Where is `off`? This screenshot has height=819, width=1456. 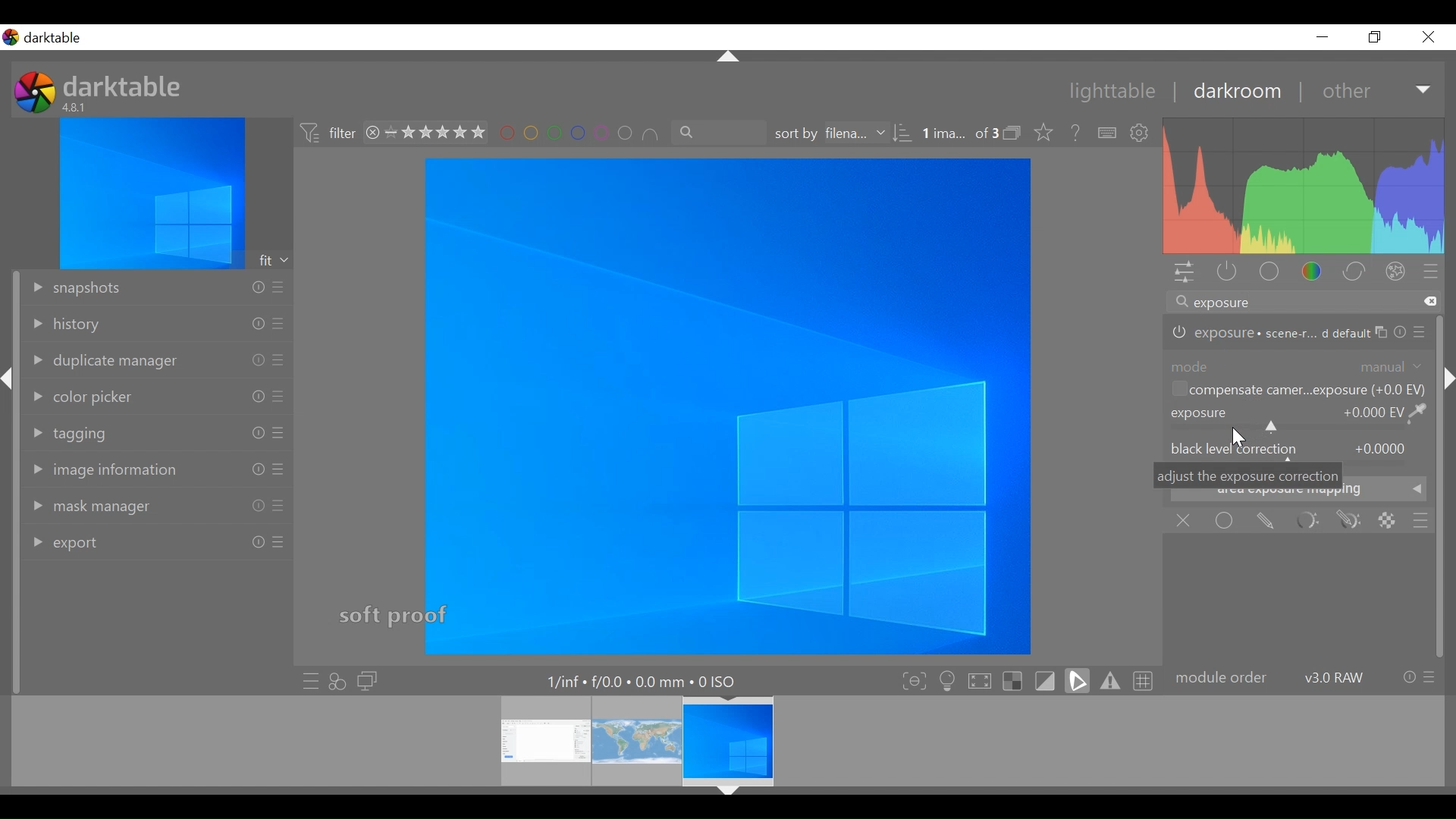 off is located at coordinates (1182, 521).